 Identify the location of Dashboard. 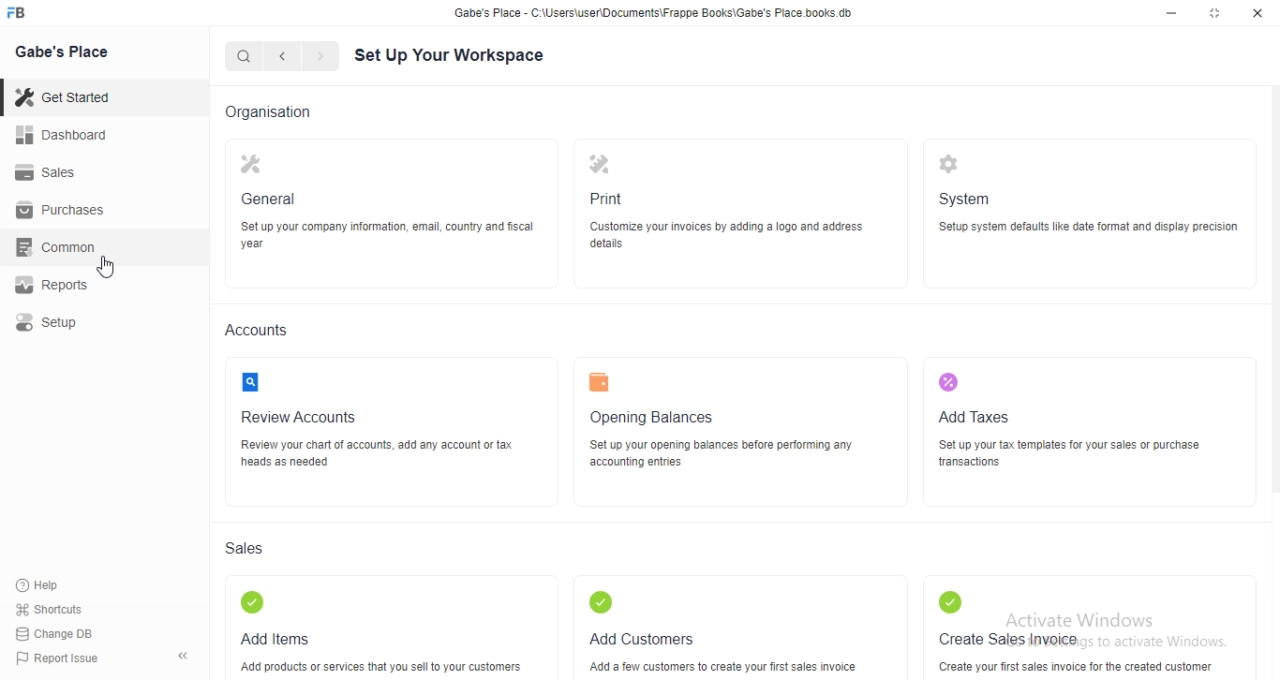
(66, 134).